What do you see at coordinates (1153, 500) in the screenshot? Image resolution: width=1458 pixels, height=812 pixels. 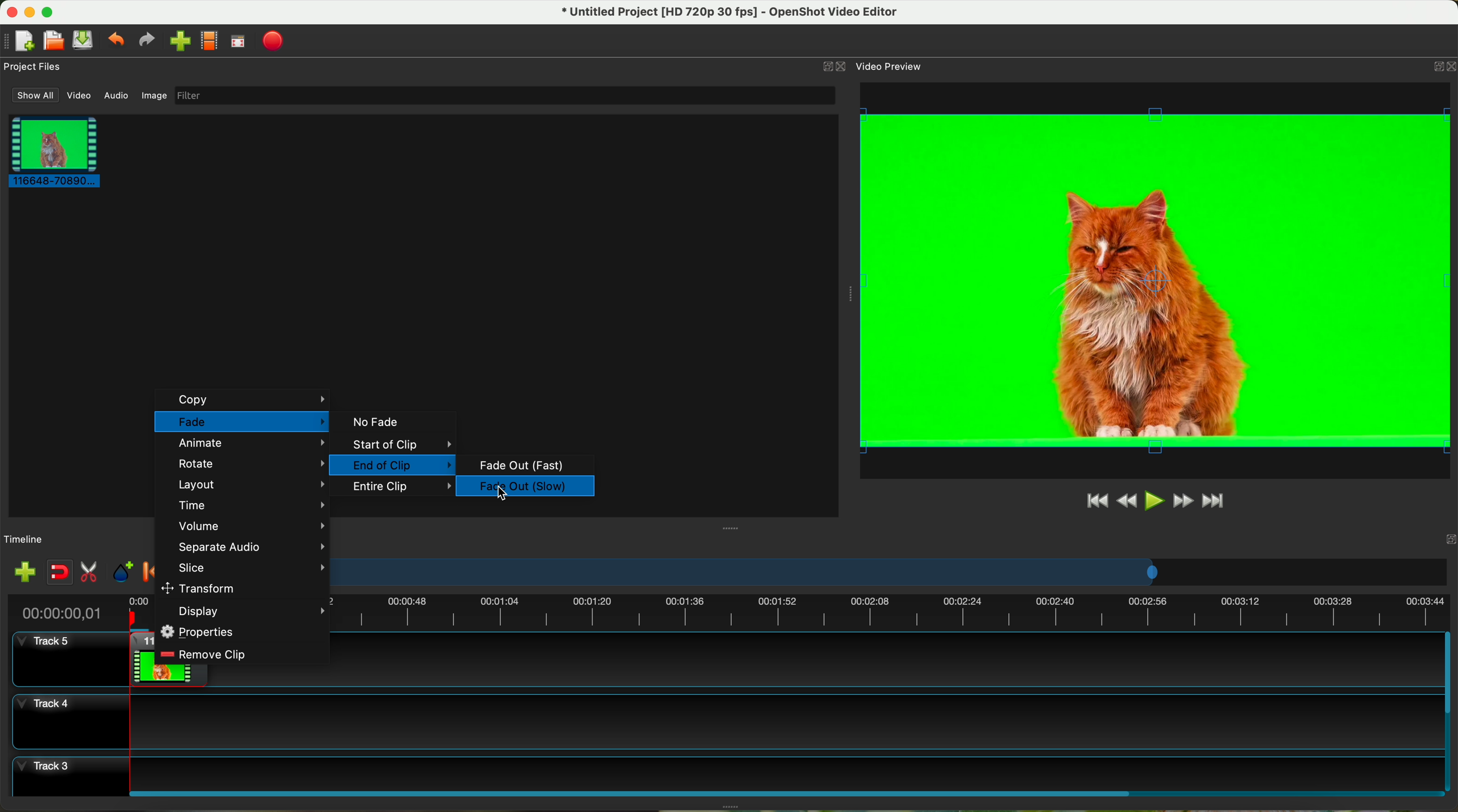 I see `play` at bounding box center [1153, 500].